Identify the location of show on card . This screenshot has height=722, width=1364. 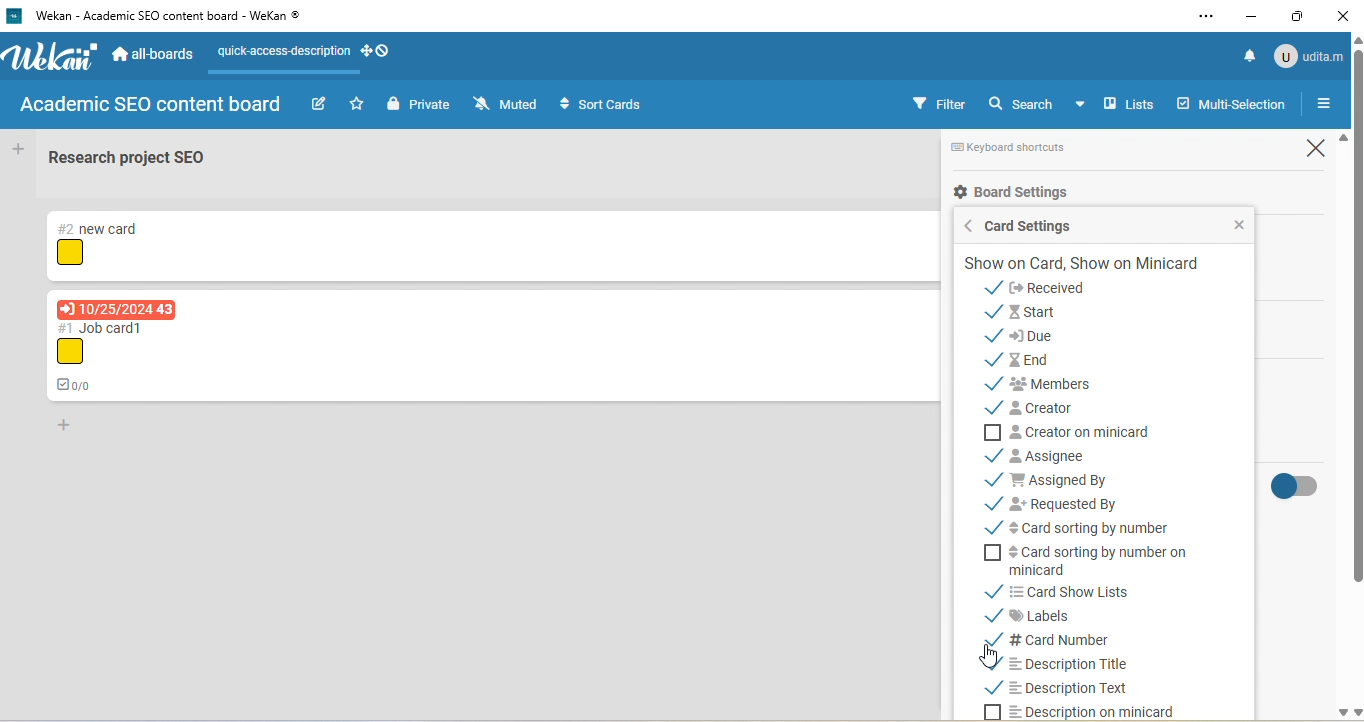
(1091, 264).